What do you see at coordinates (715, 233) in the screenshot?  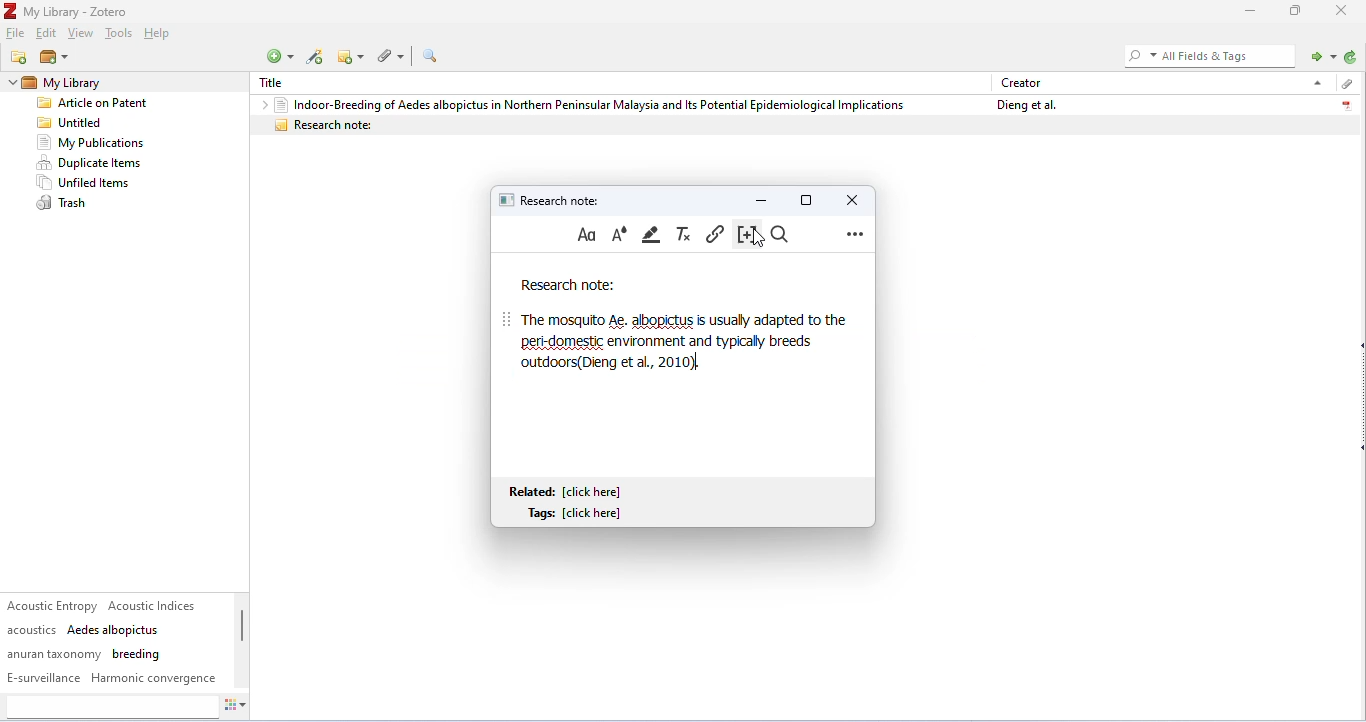 I see `insert link` at bounding box center [715, 233].